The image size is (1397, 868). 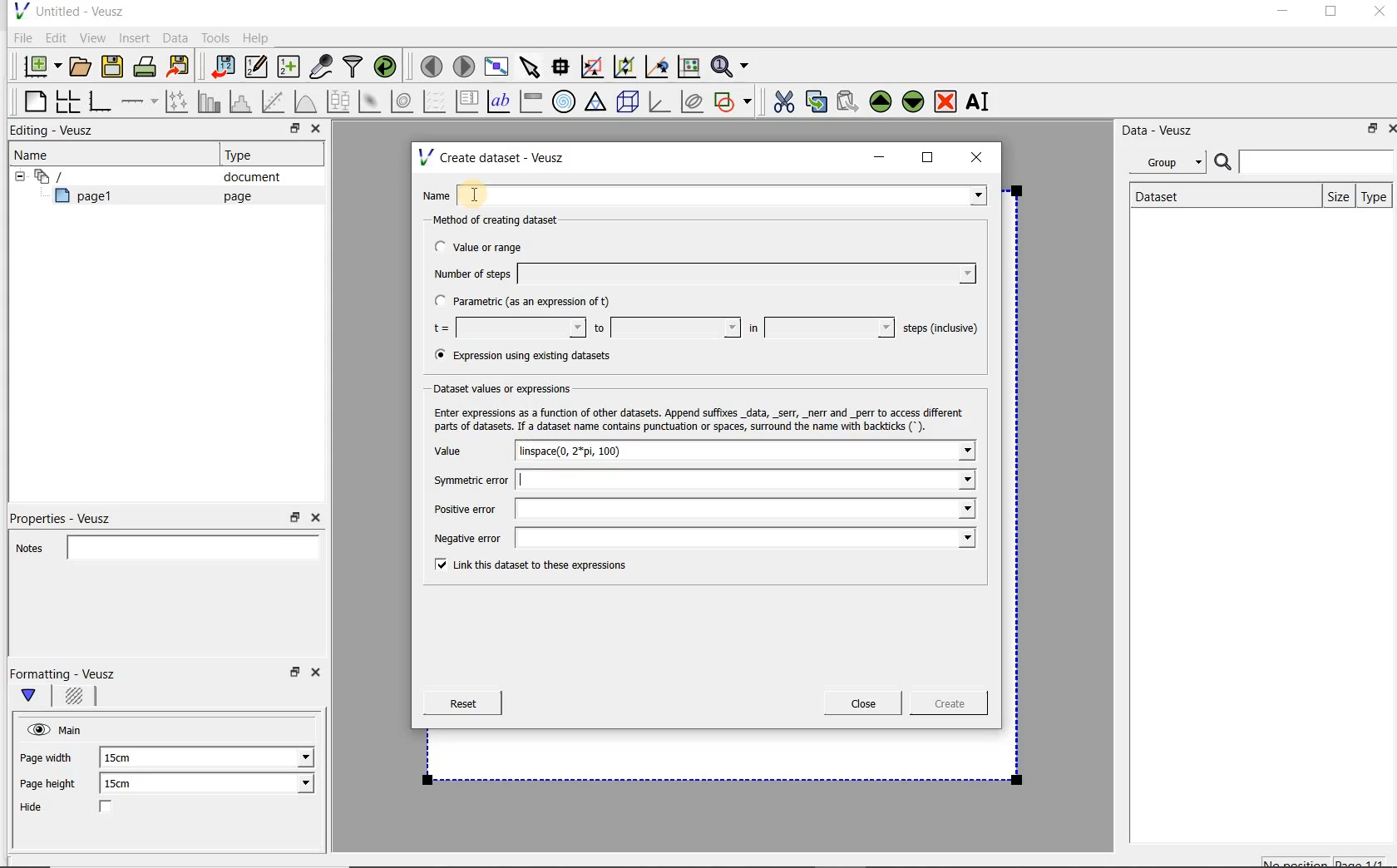 What do you see at coordinates (1281, 13) in the screenshot?
I see `minimize` at bounding box center [1281, 13].